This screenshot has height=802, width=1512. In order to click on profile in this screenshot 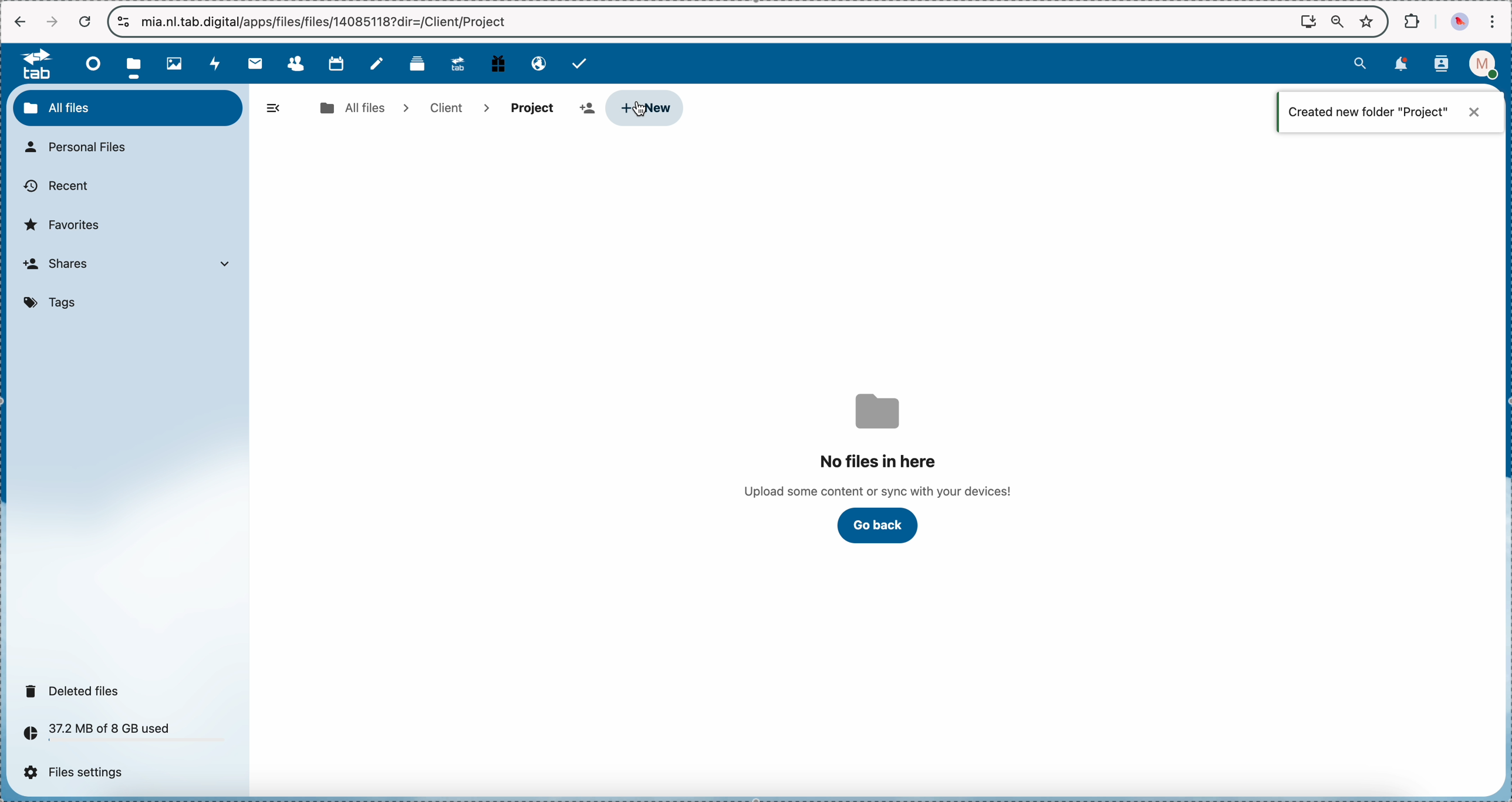, I will do `click(1487, 65)`.